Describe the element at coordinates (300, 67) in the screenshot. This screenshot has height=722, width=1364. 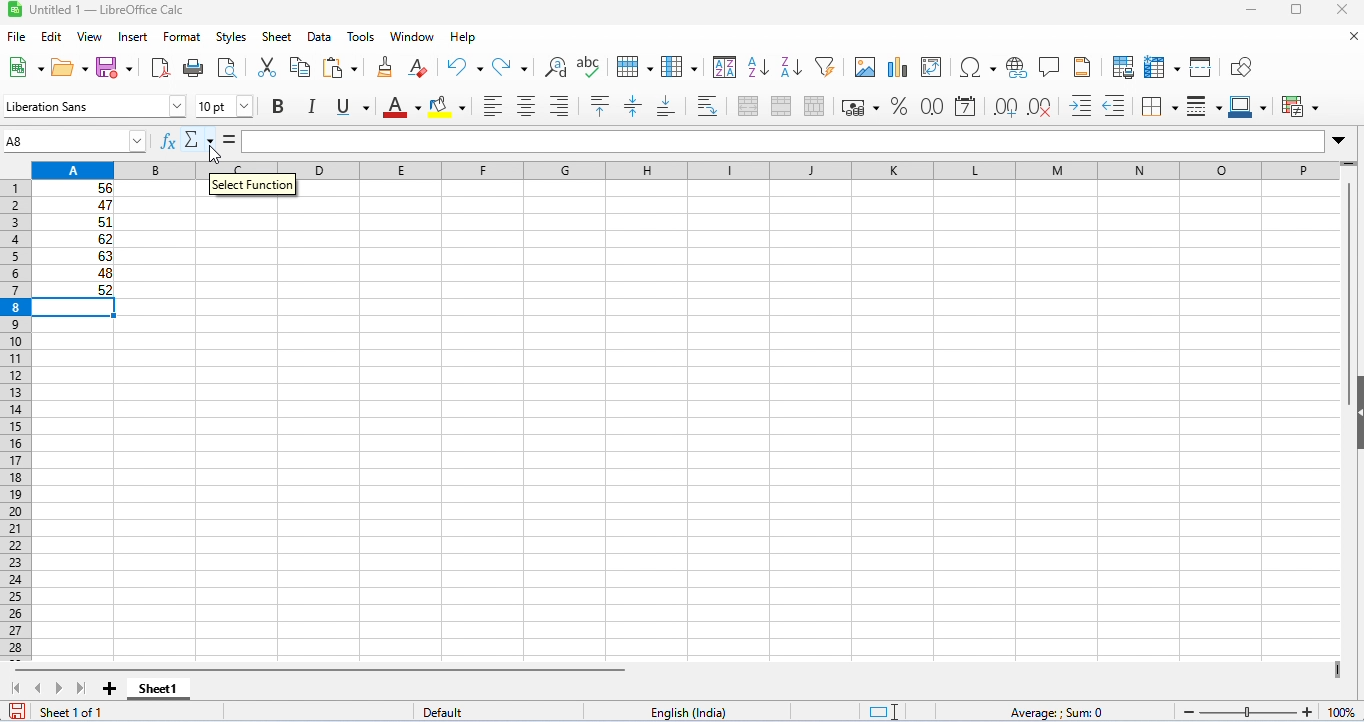
I see `copy` at that location.